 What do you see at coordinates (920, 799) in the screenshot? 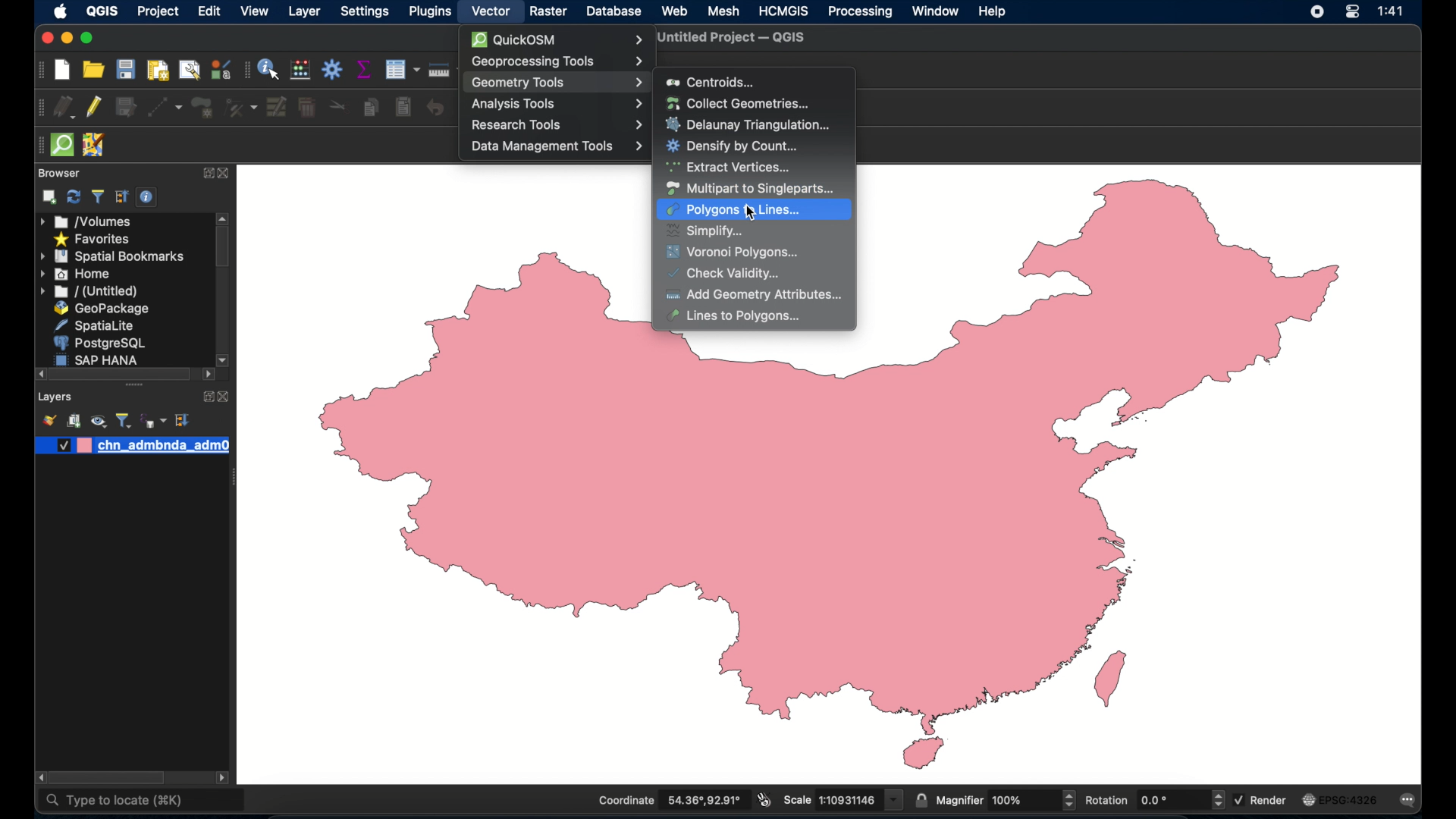
I see `lock scale` at bounding box center [920, 799].